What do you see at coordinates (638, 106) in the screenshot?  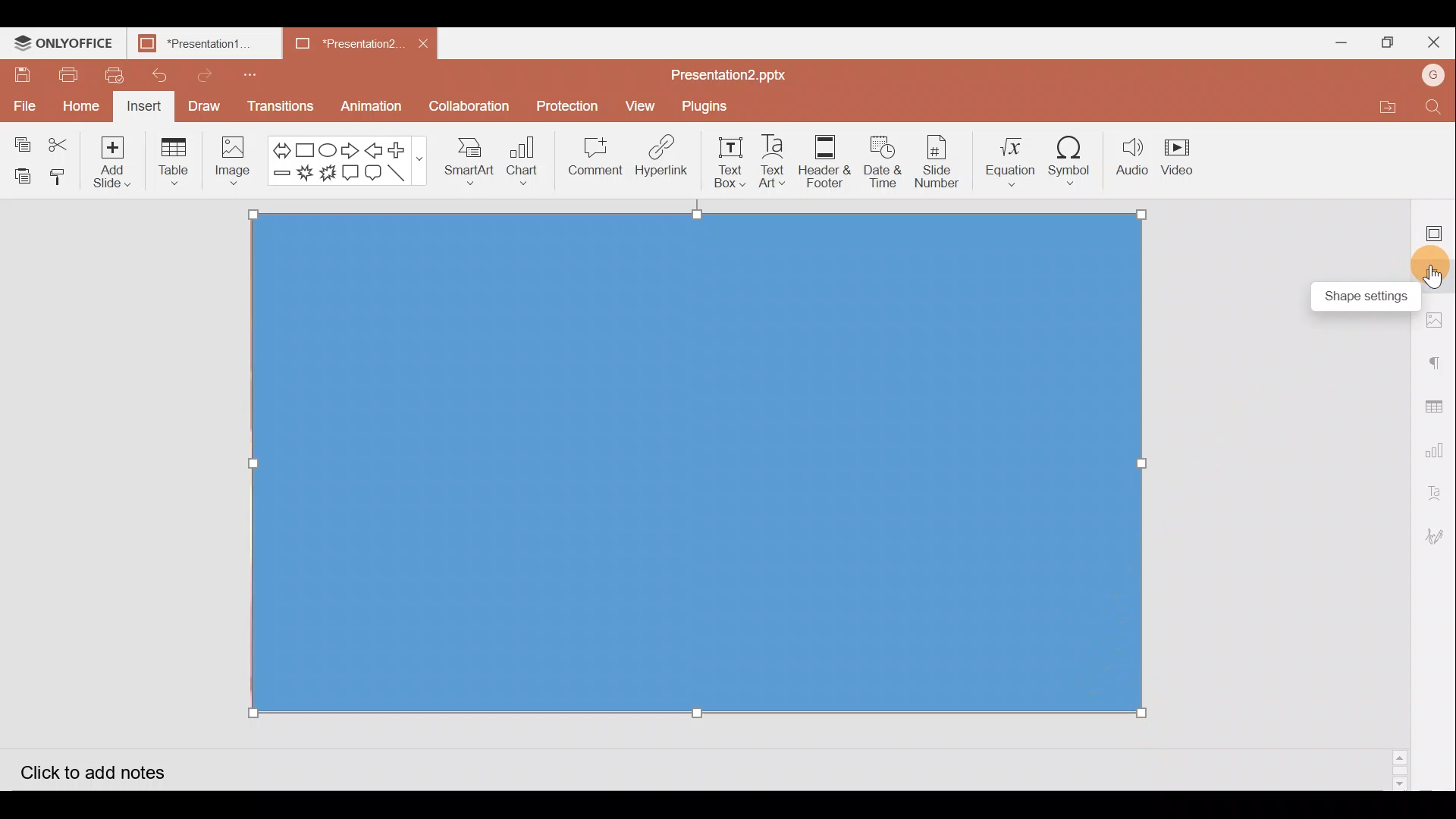 I see `View` at bounding box center [638, 106].